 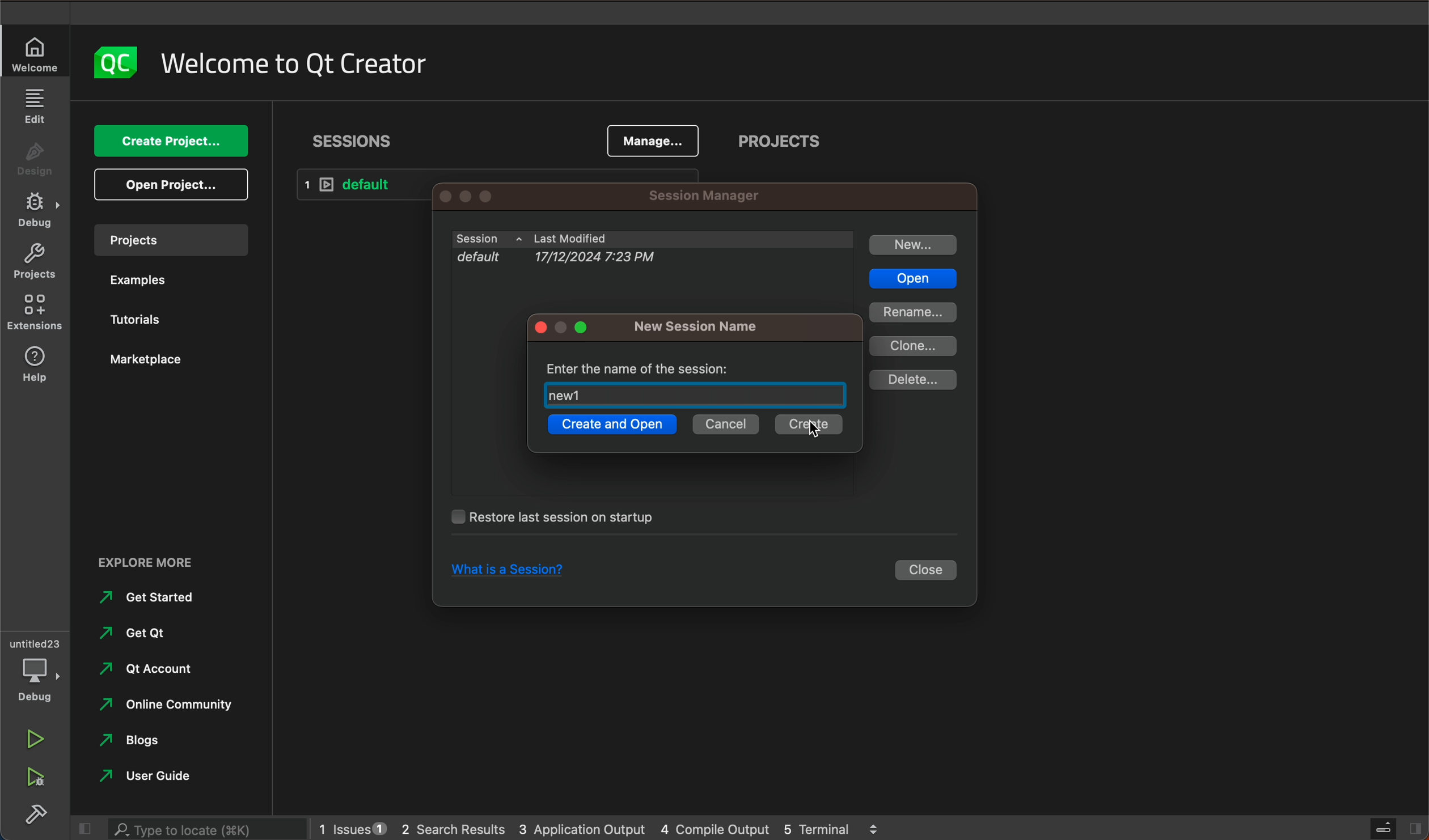 I want to click on explore more, so click(x=168, y=554).